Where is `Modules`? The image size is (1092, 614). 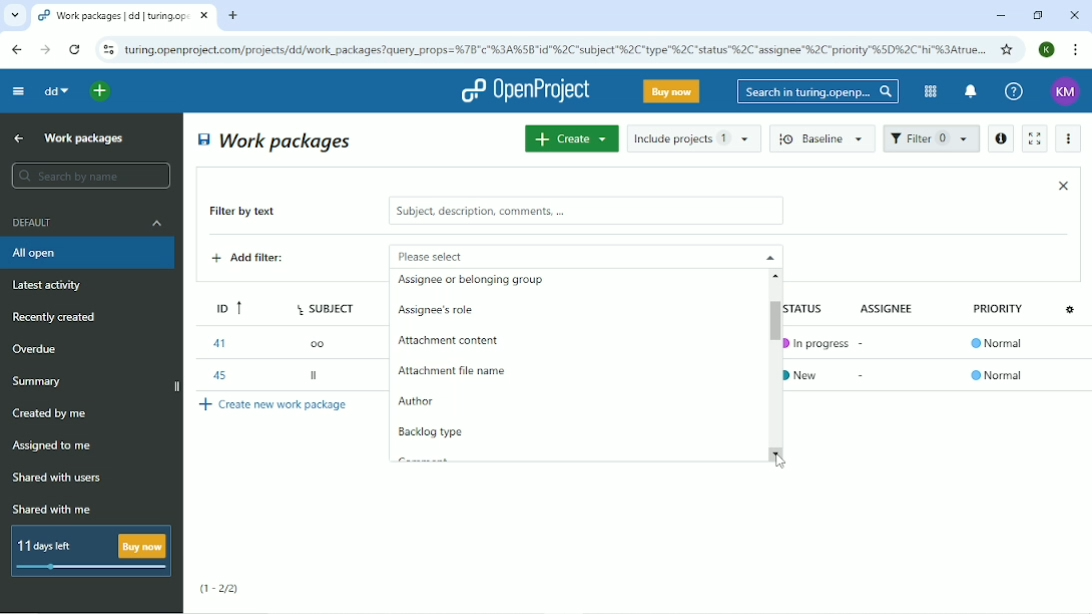
Modules is located at coordinates (928, 91).